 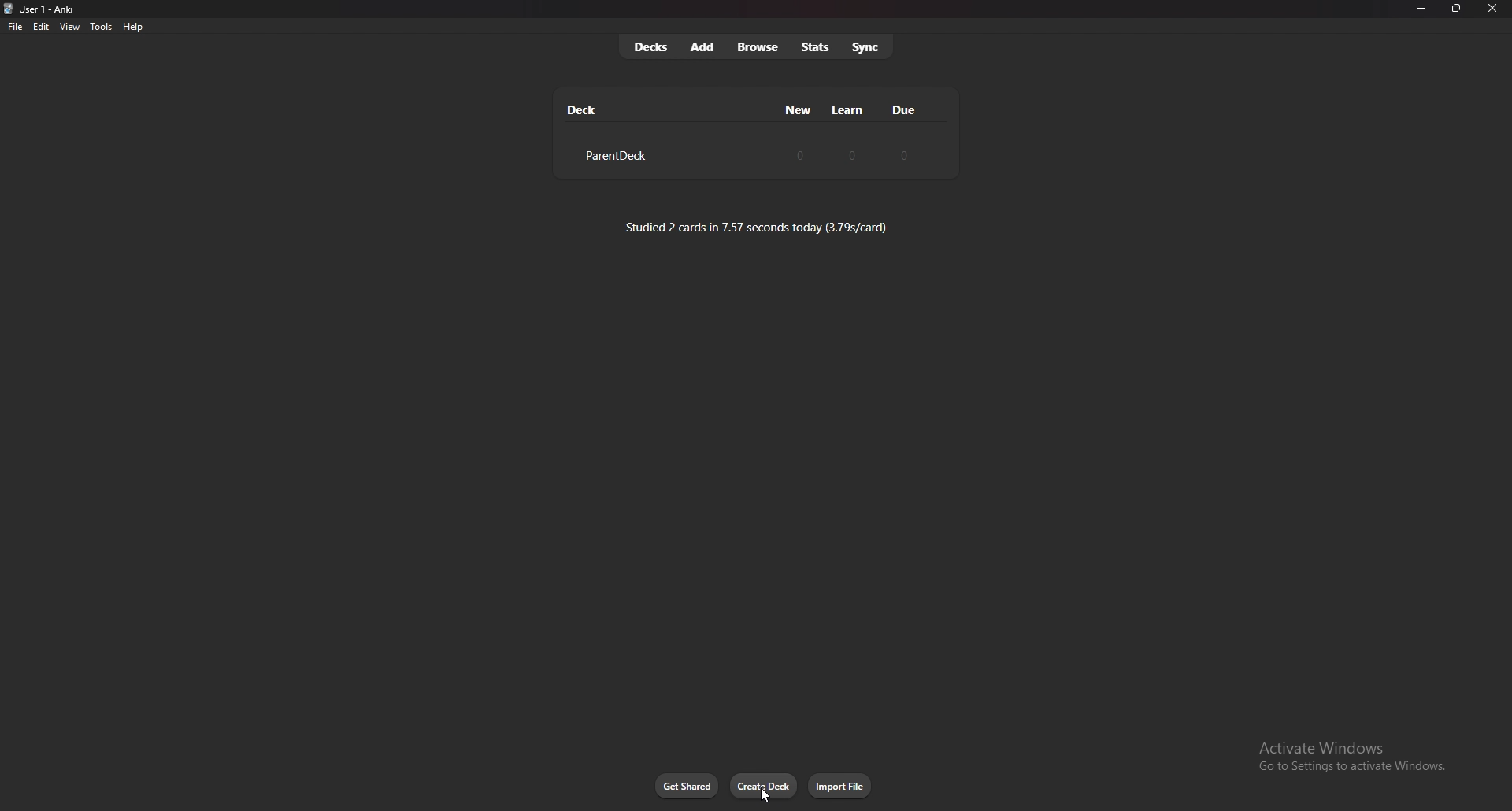 I want to click on 0, so click(x=902, y=155).